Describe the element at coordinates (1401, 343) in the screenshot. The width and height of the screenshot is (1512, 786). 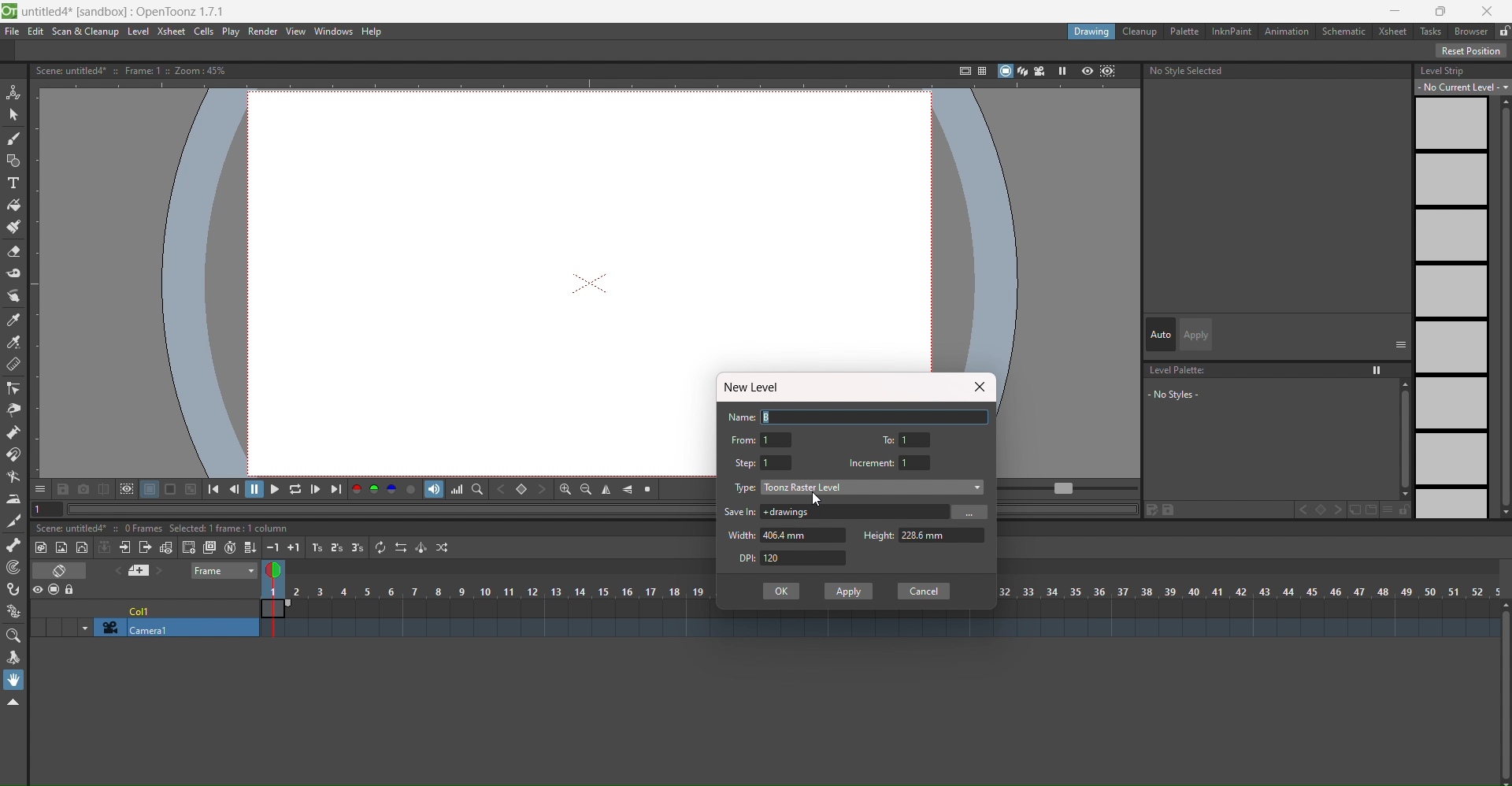
I see `options` at that location.